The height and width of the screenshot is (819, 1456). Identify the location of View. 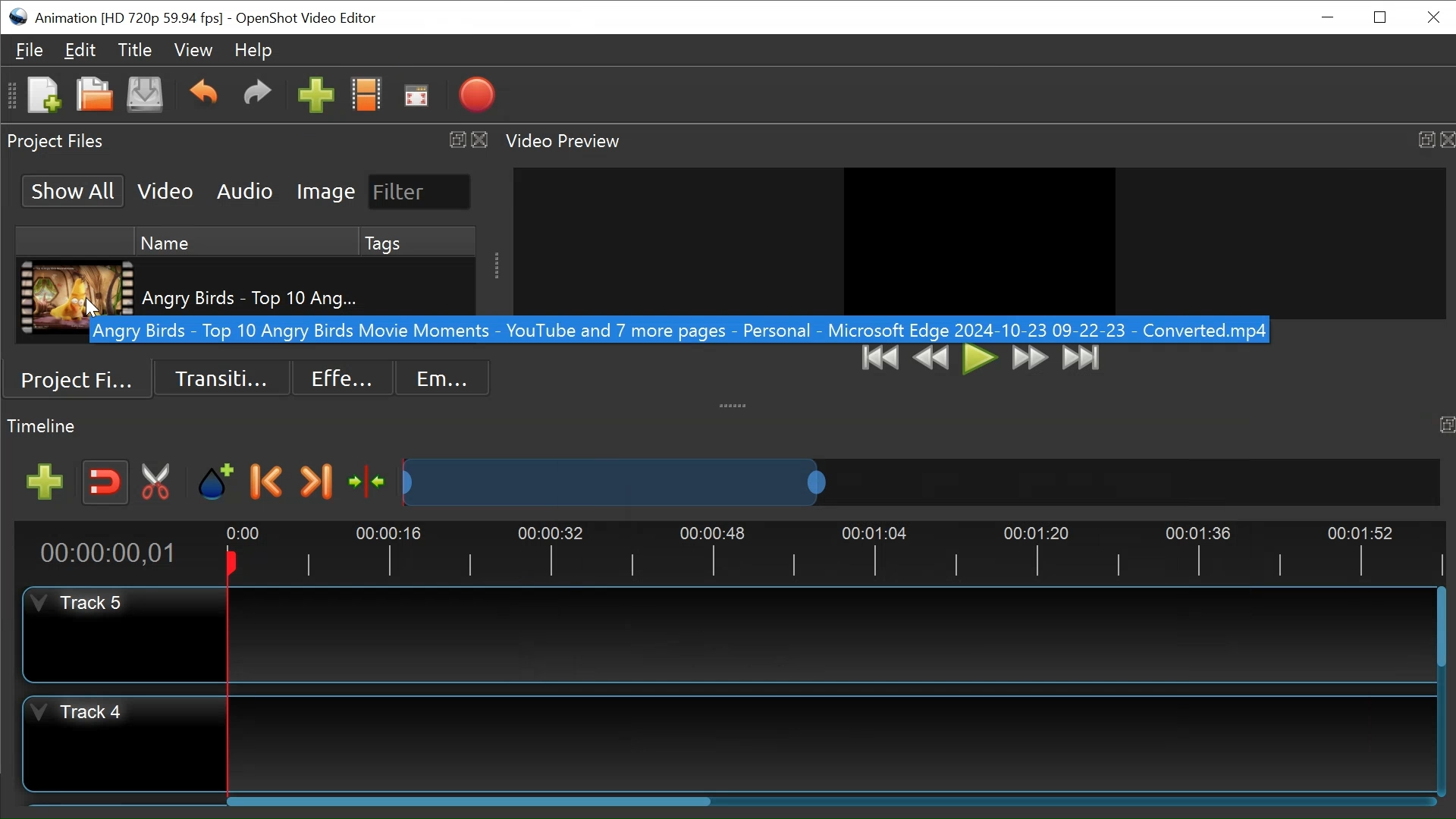
(190, 50).